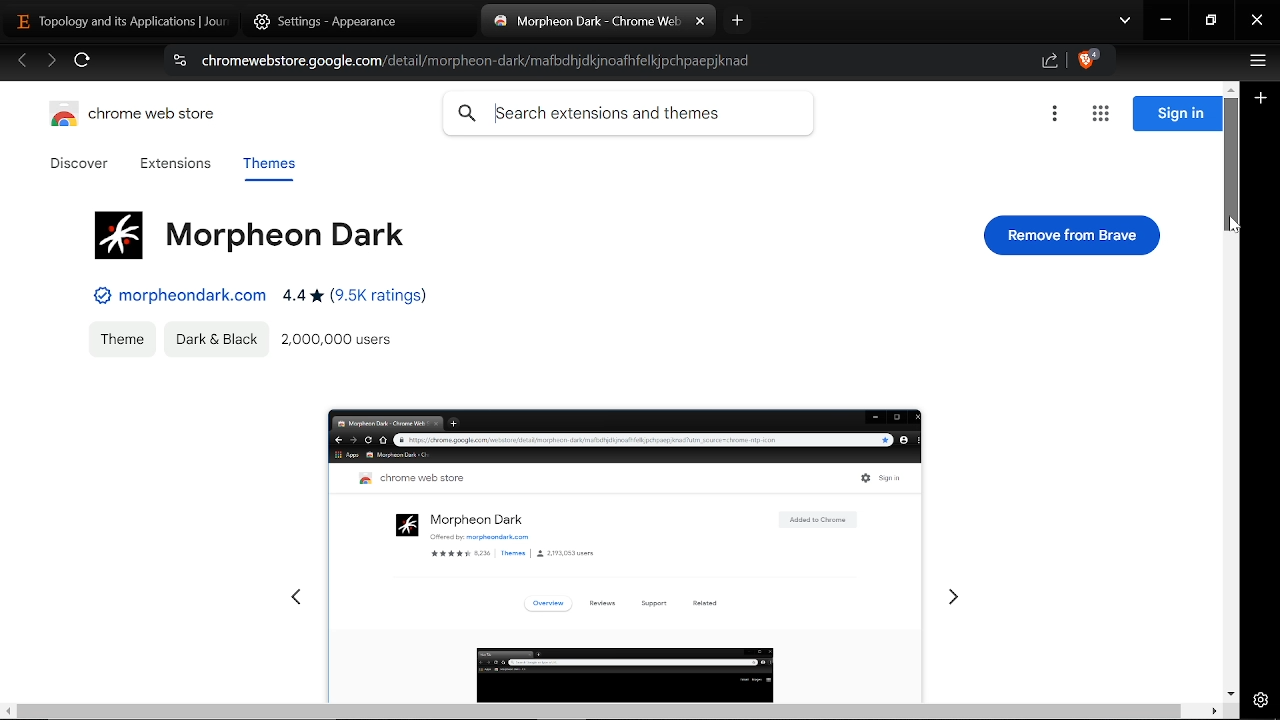  I want to click on Chrome web store, so click(138, 117).